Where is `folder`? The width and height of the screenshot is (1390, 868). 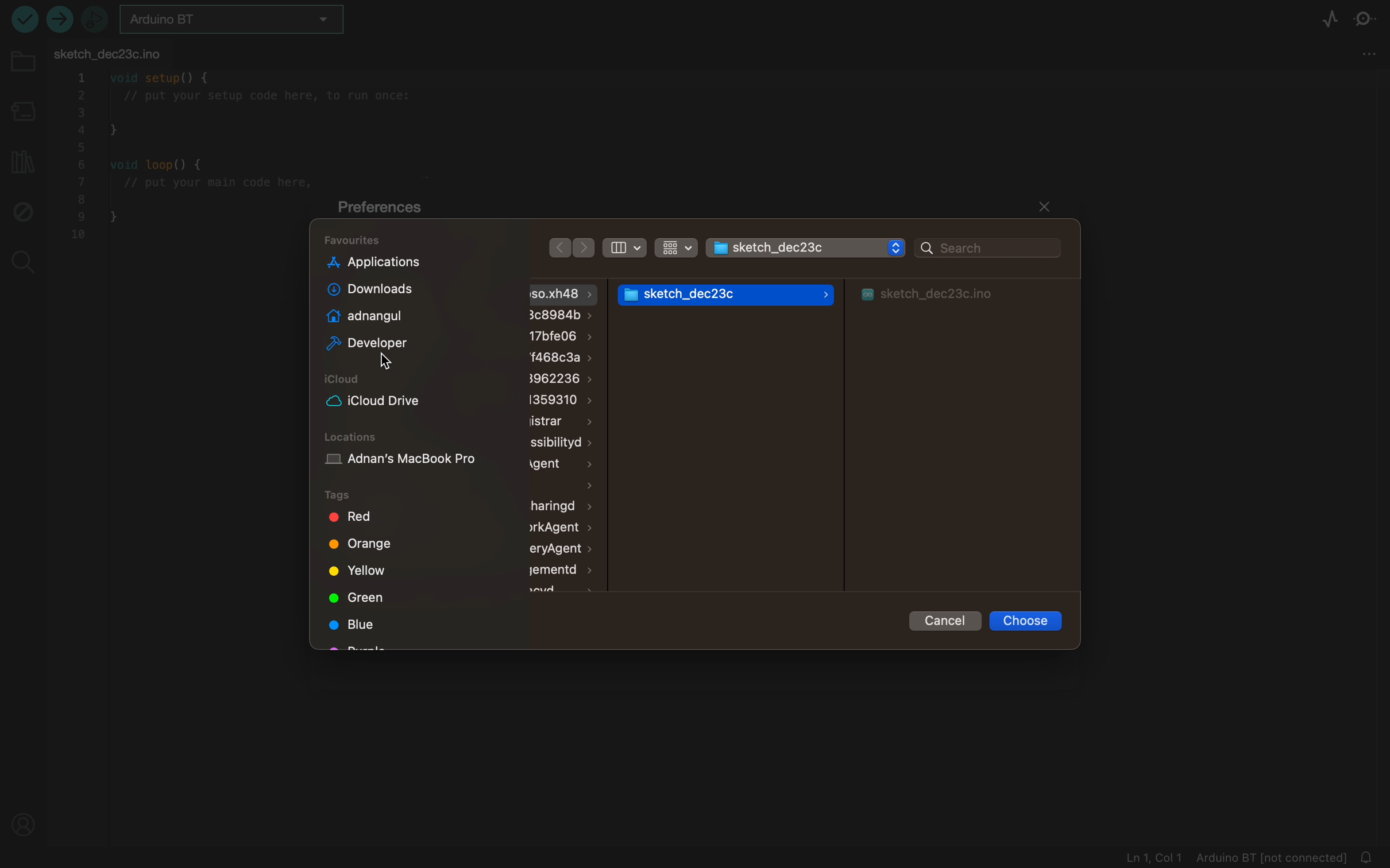 folder is located at coordinates (23, 64).